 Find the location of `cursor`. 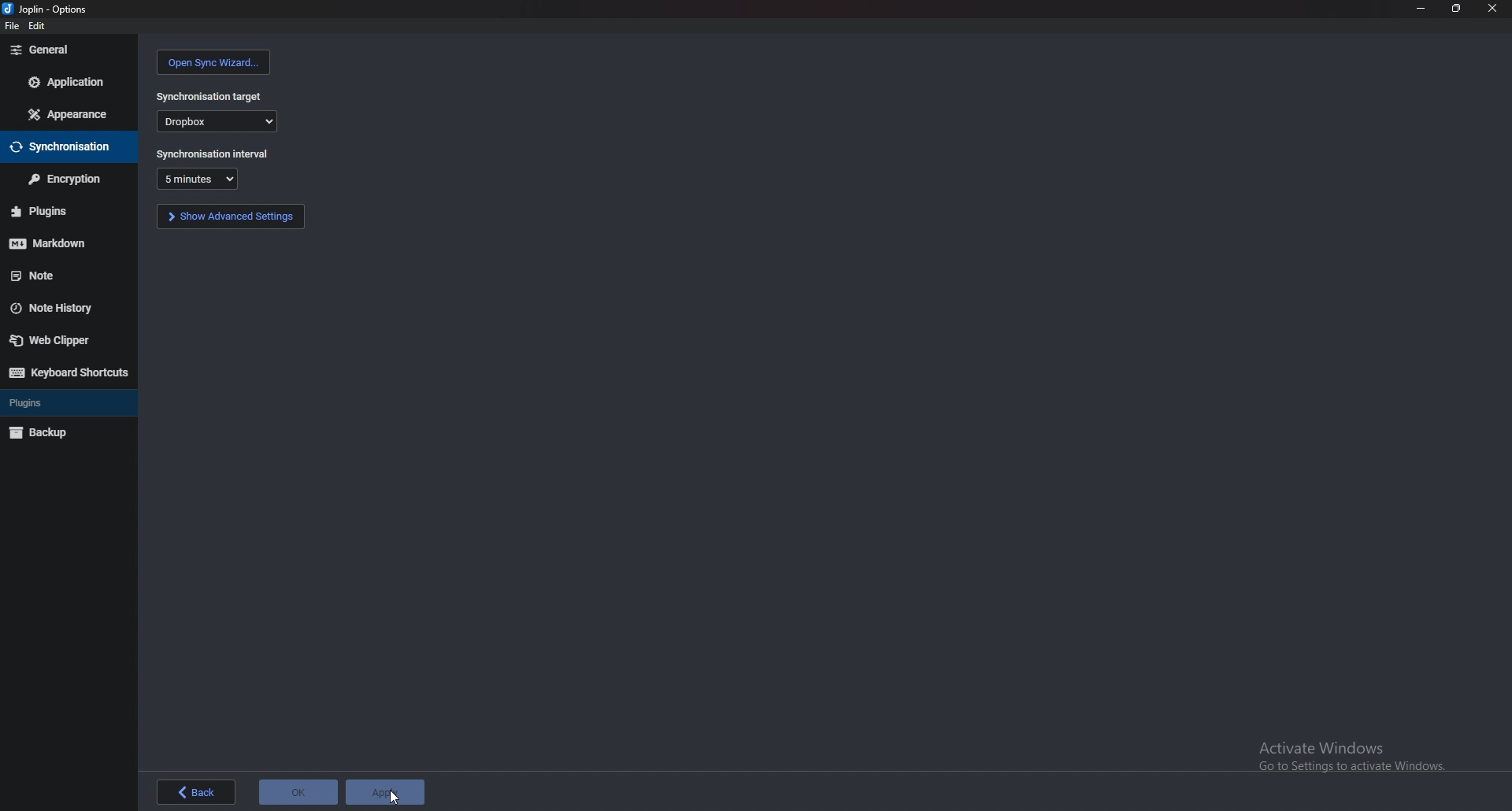

cursor is located at coordinates (395, 797).